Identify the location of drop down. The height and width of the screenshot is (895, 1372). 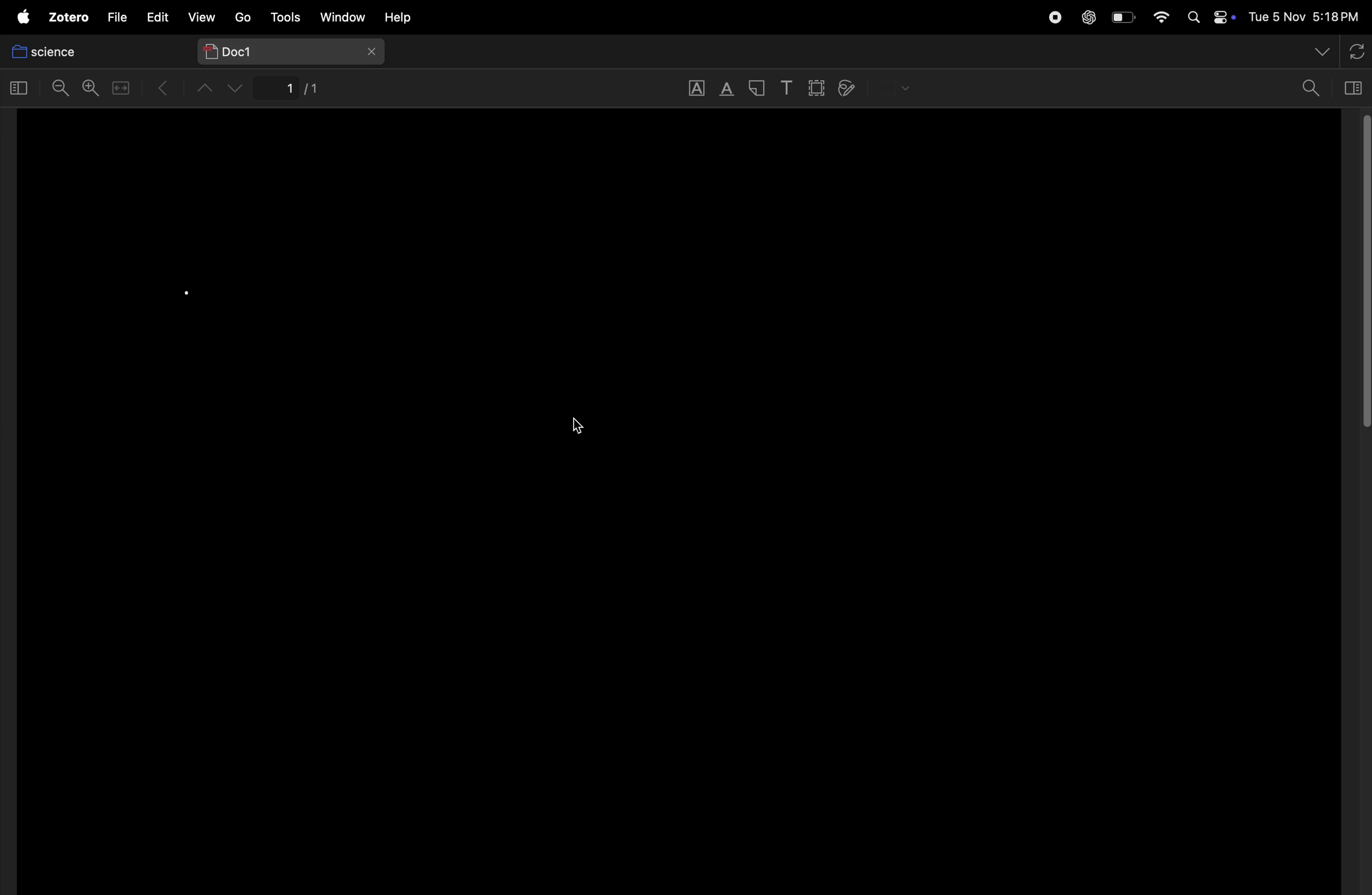
(1321, 50).